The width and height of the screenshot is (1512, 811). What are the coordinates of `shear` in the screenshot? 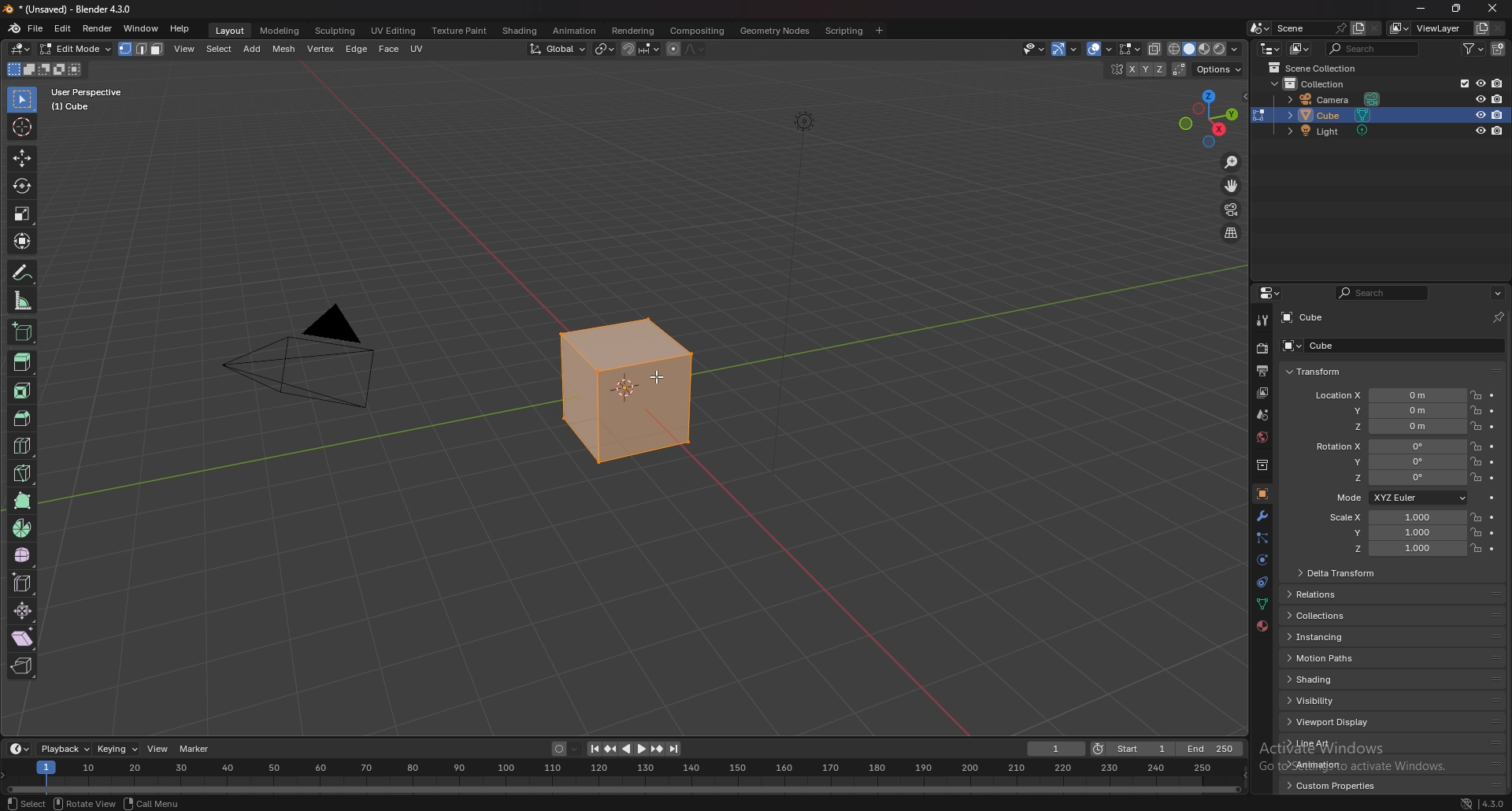 It's located at (24, 636).